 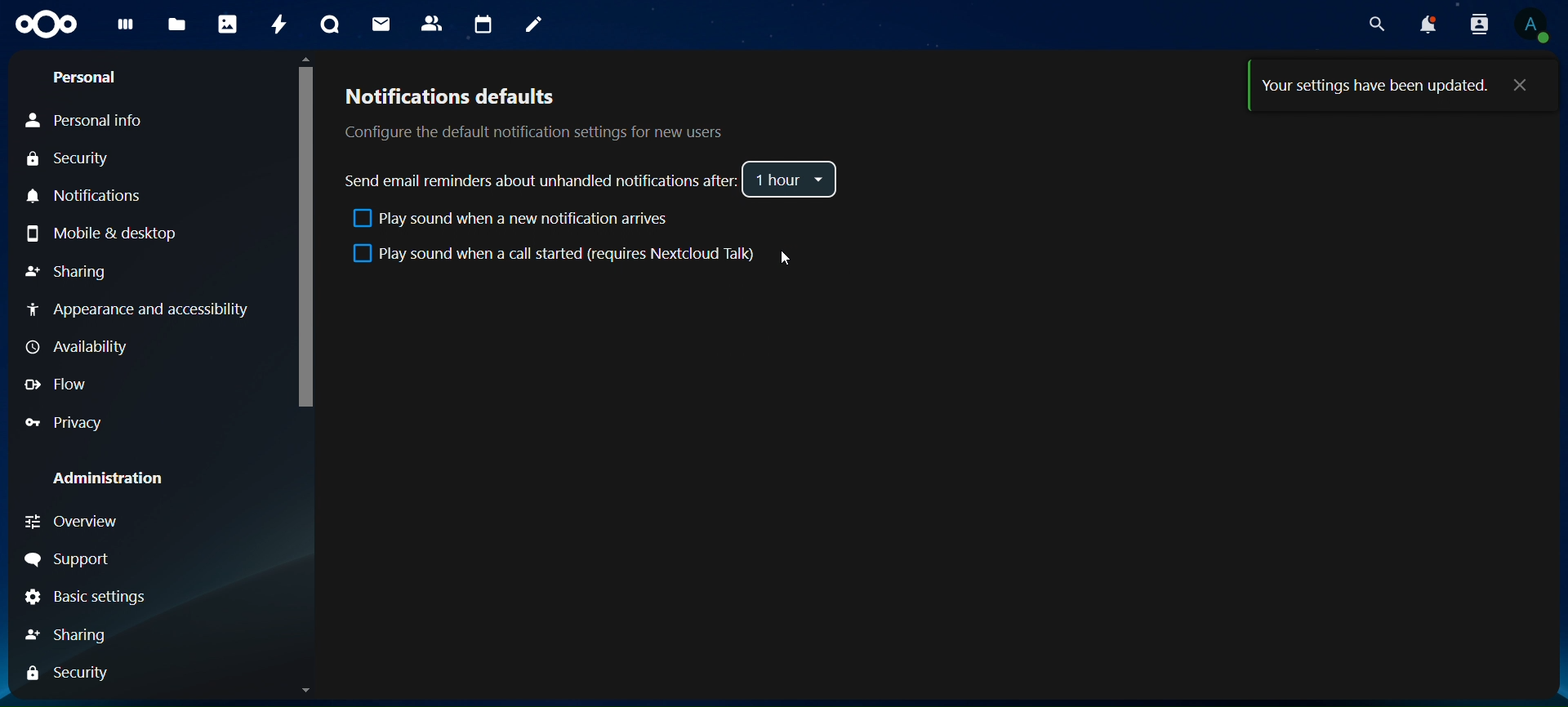 I want to click on activity, so click(x=278, y=27).